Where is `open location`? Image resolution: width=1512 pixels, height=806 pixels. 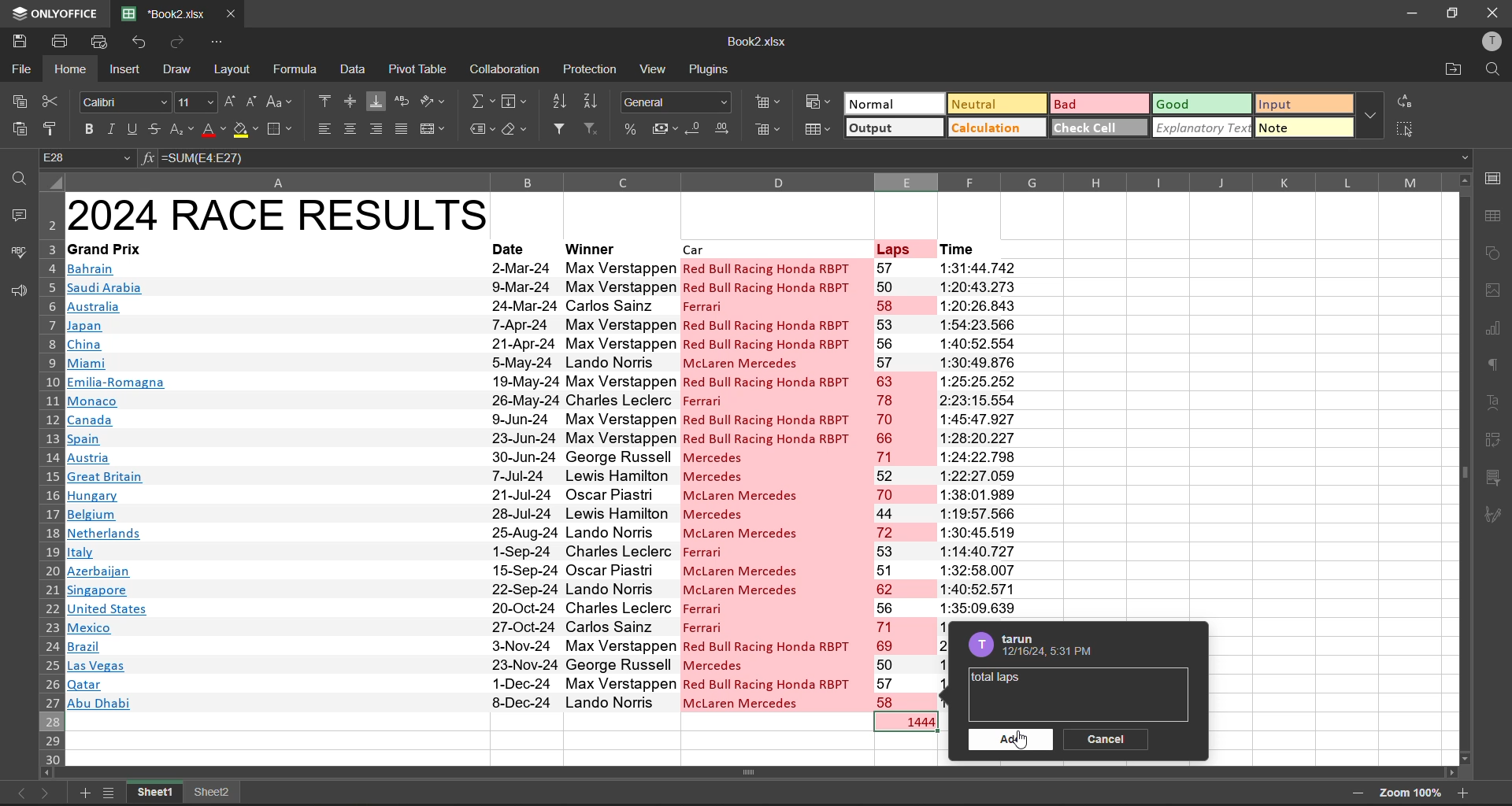 open location is located at coordinates (1455, 69).